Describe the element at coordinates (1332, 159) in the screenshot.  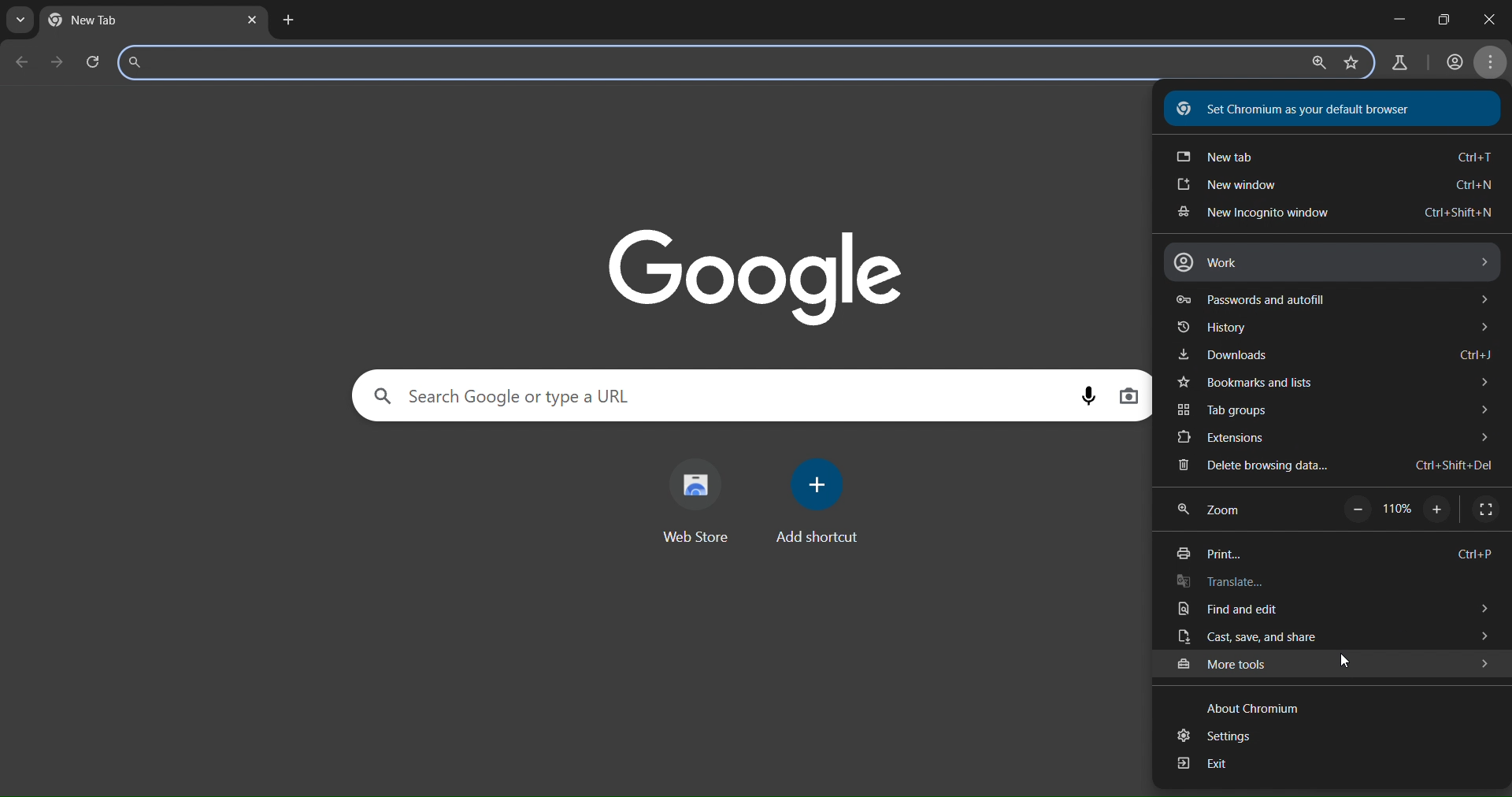
I see `new tab Ctrl+T` at that location.